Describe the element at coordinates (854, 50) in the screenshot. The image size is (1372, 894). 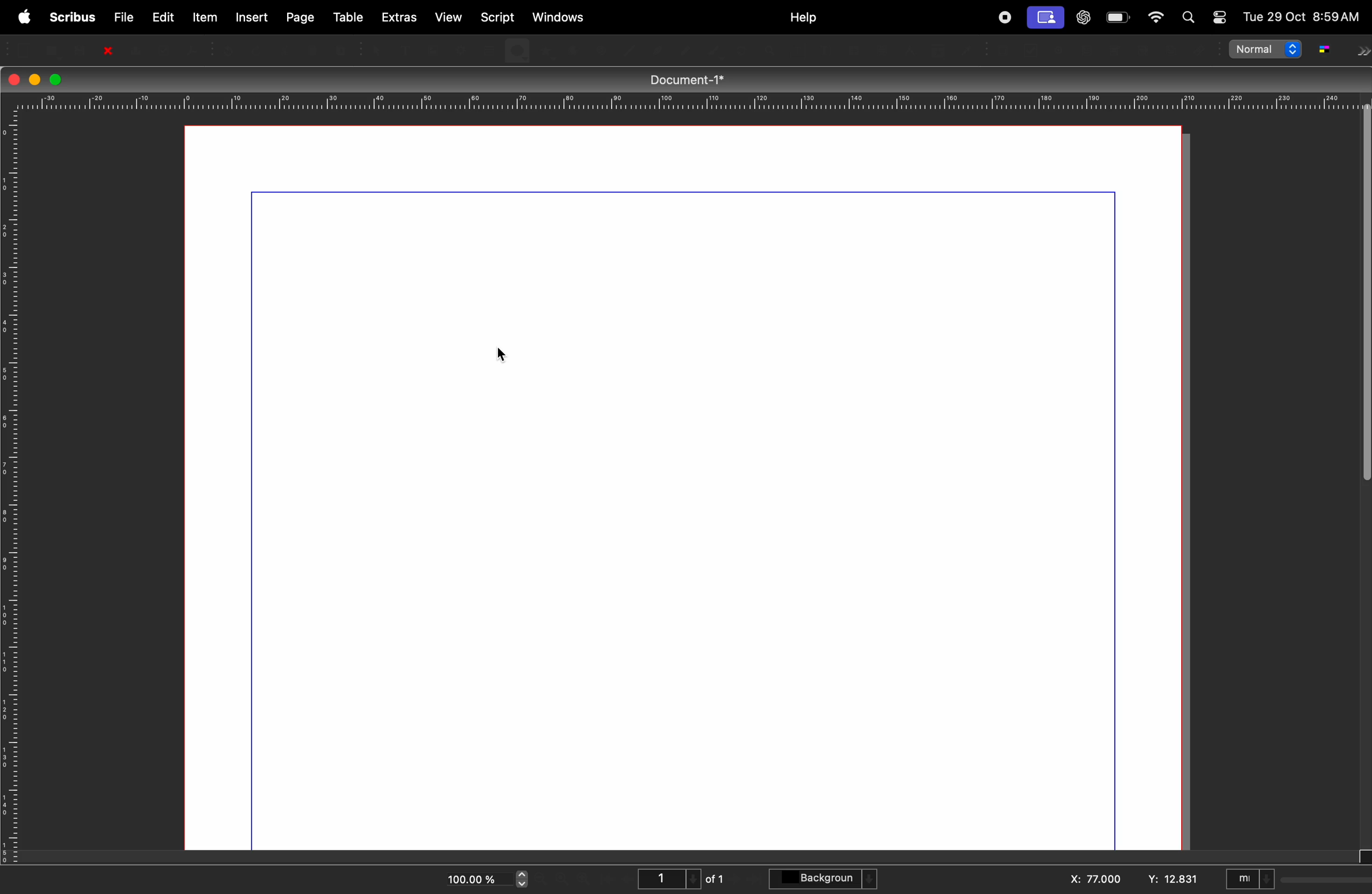
I see `Link text frames` at that location.